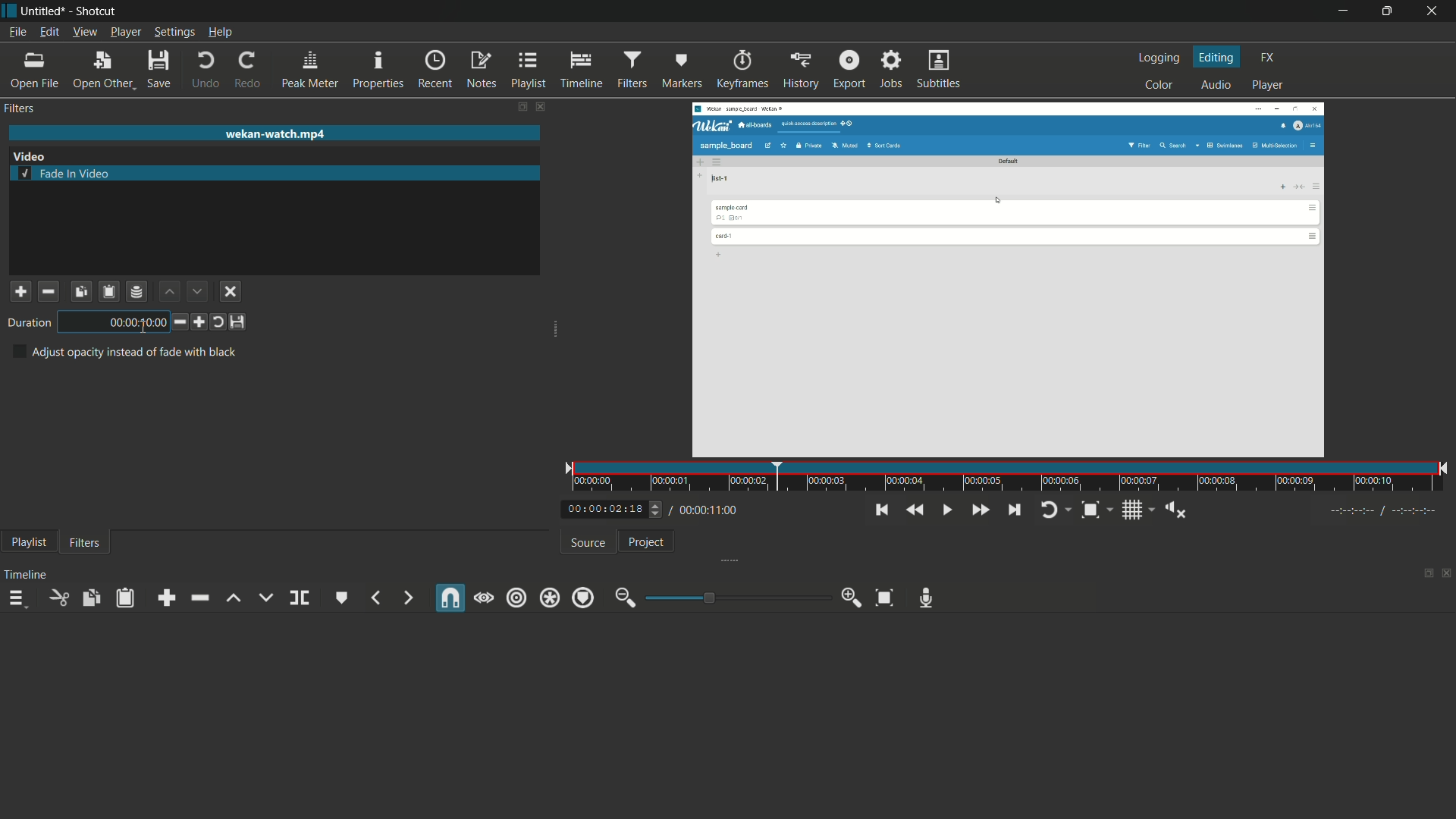 The width and height of the screenshot is (1456, 819). Describe the element at coordinates (681, 71) in the screenshot. I see `markers` at that location.